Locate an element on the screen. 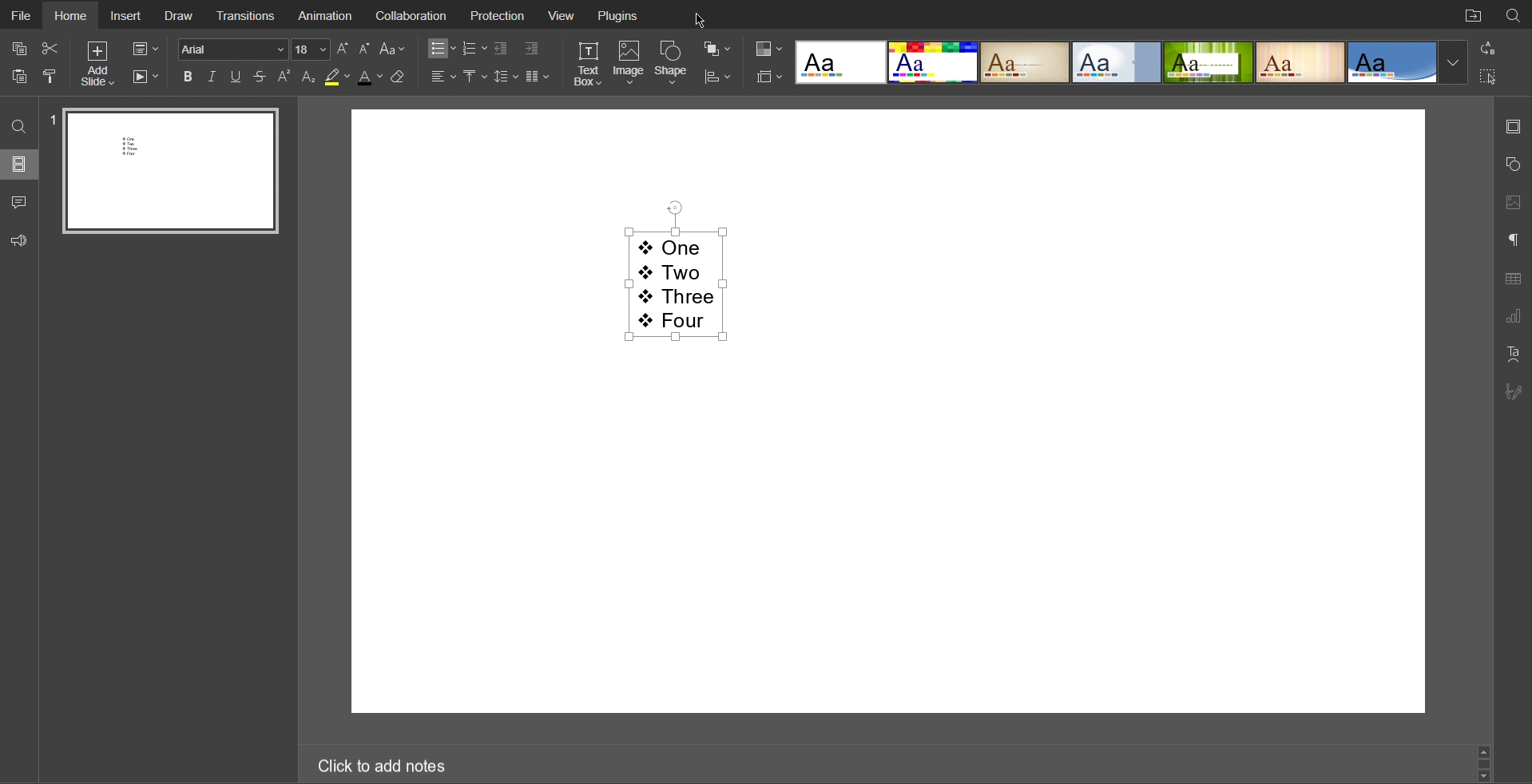  Bold is located at coordinates (189, 76).